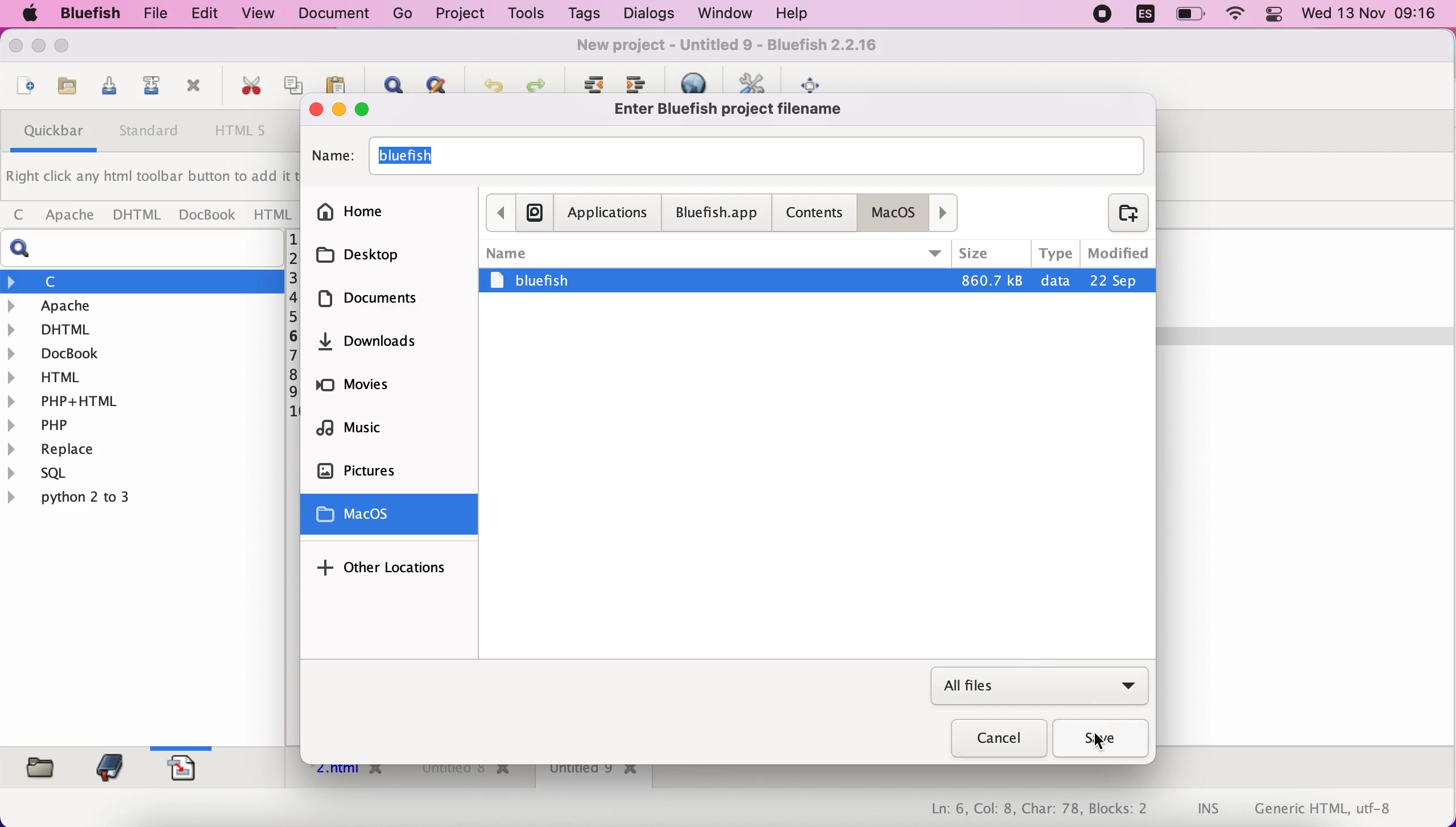  I want to click on paste, so click(336, 82).